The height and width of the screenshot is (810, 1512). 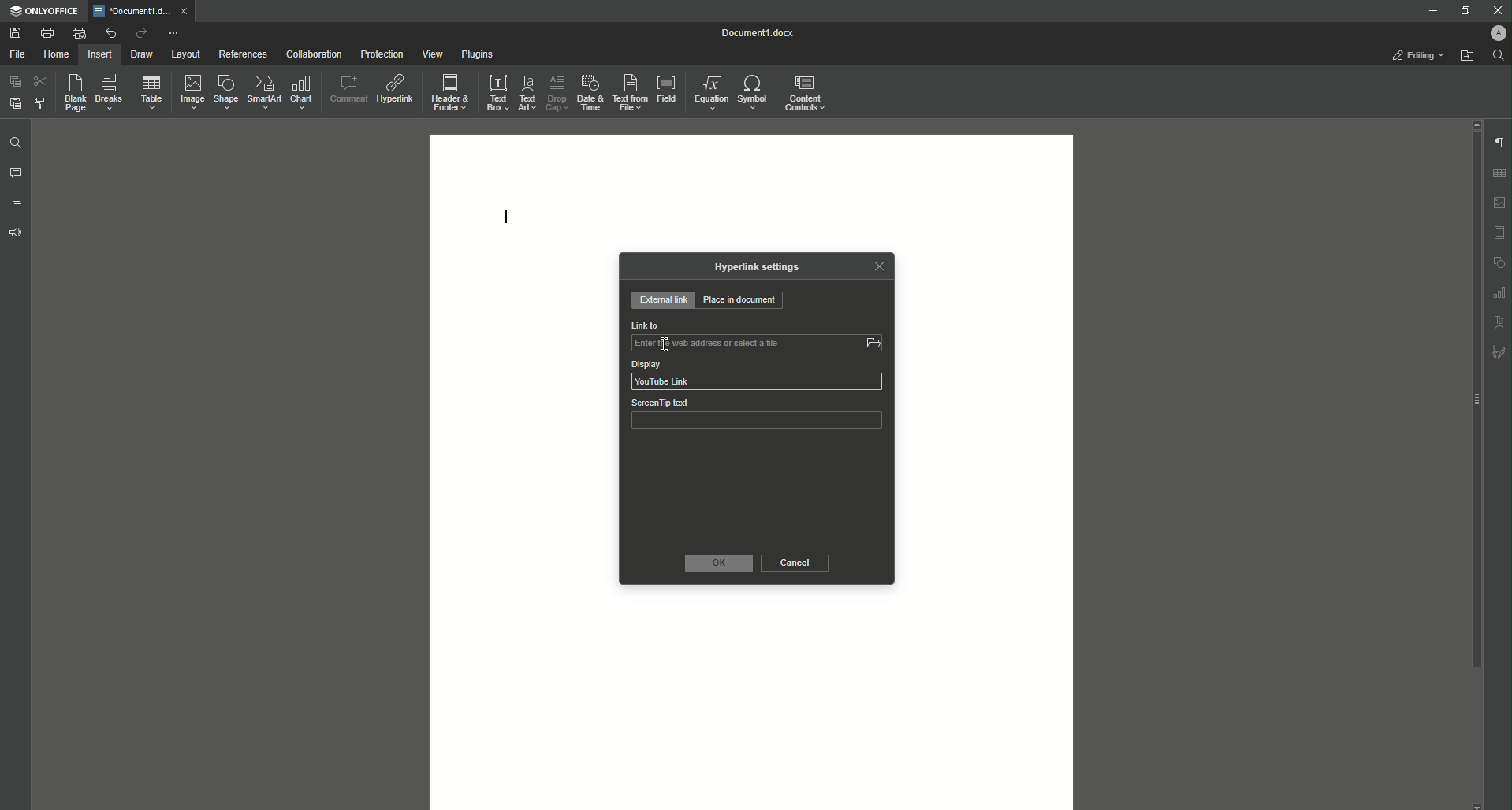 I want to click on References, so click(x=243, y=54).